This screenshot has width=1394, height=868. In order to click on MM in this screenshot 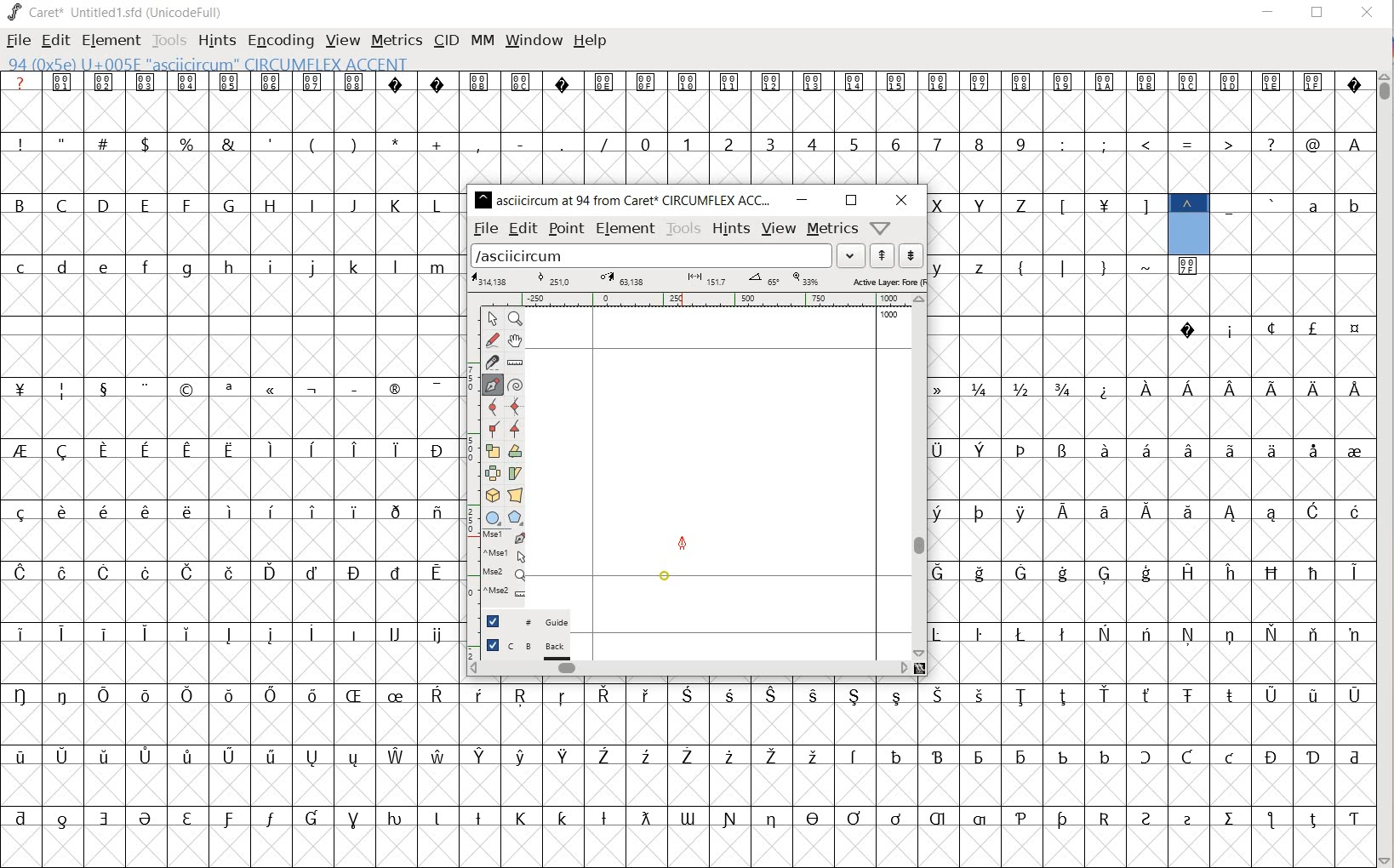, I will do `click(479, 40)`.